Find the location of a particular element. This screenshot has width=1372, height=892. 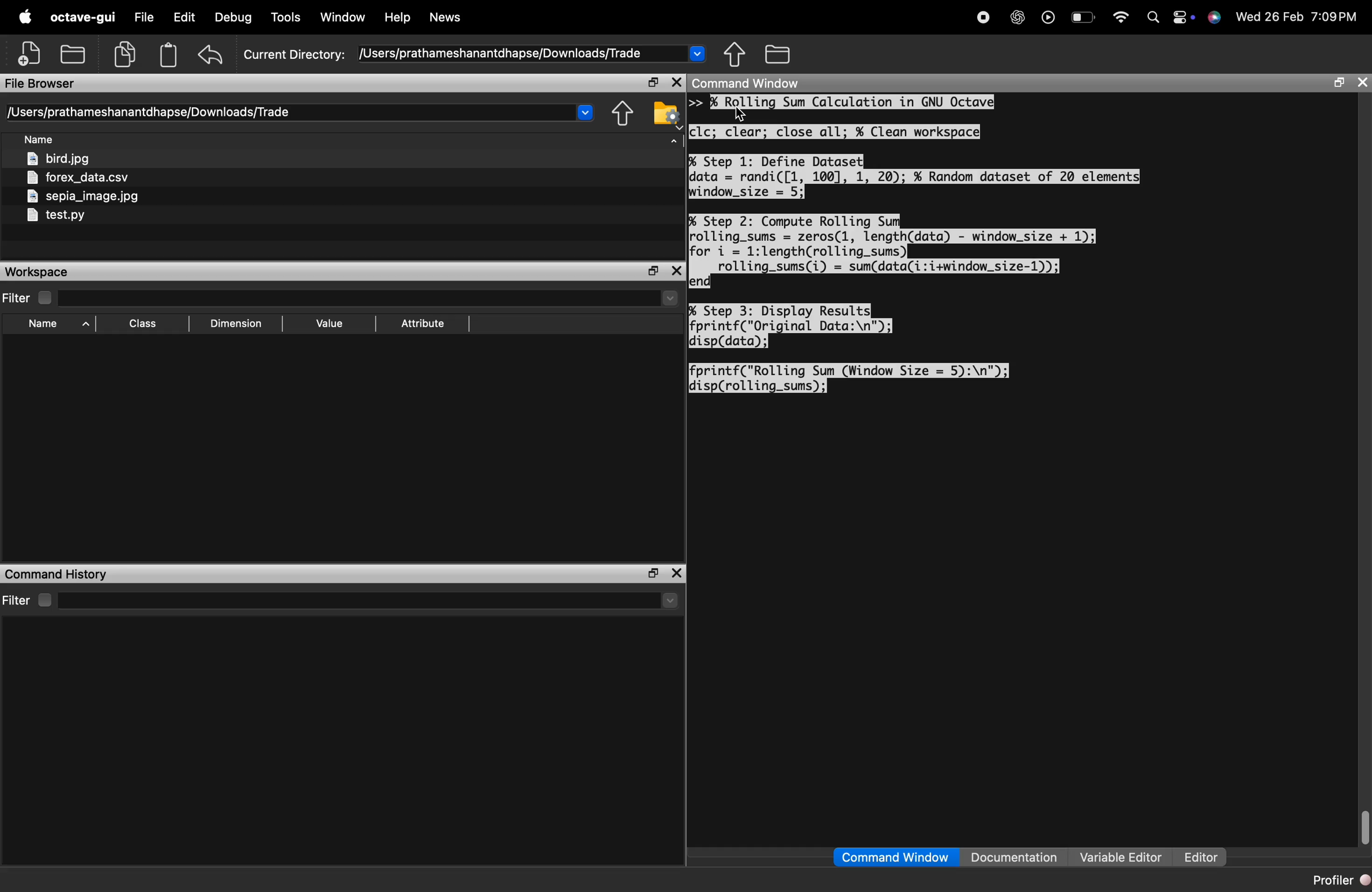

wifi is located at coordinates (1121, 18).